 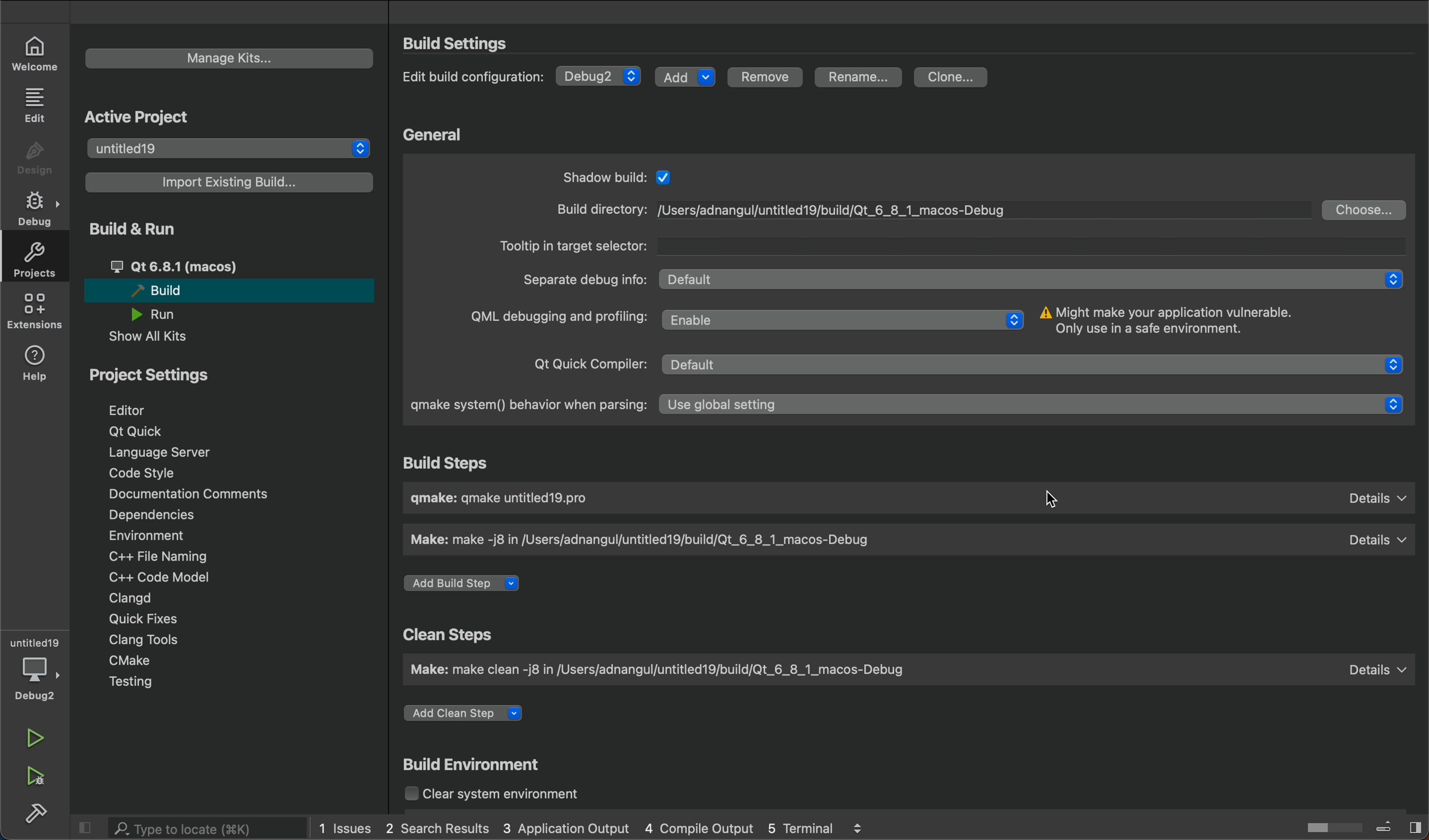 What do you see at coordinates (591, 829) in the screenshot?
I see `logs` at bounding box center [591, 829].